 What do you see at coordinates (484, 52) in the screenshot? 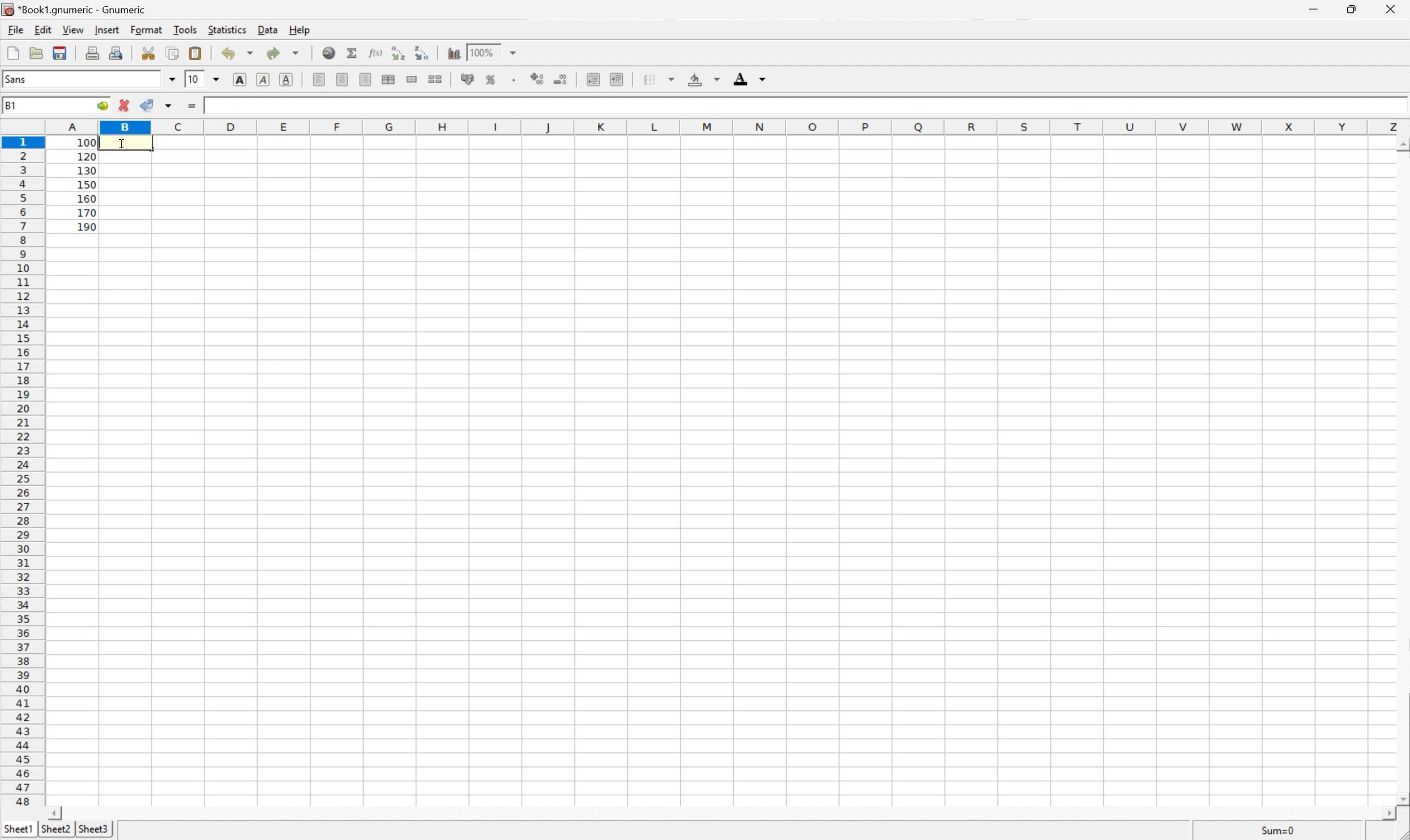
I see `100%` at bounding box center [484, 52].